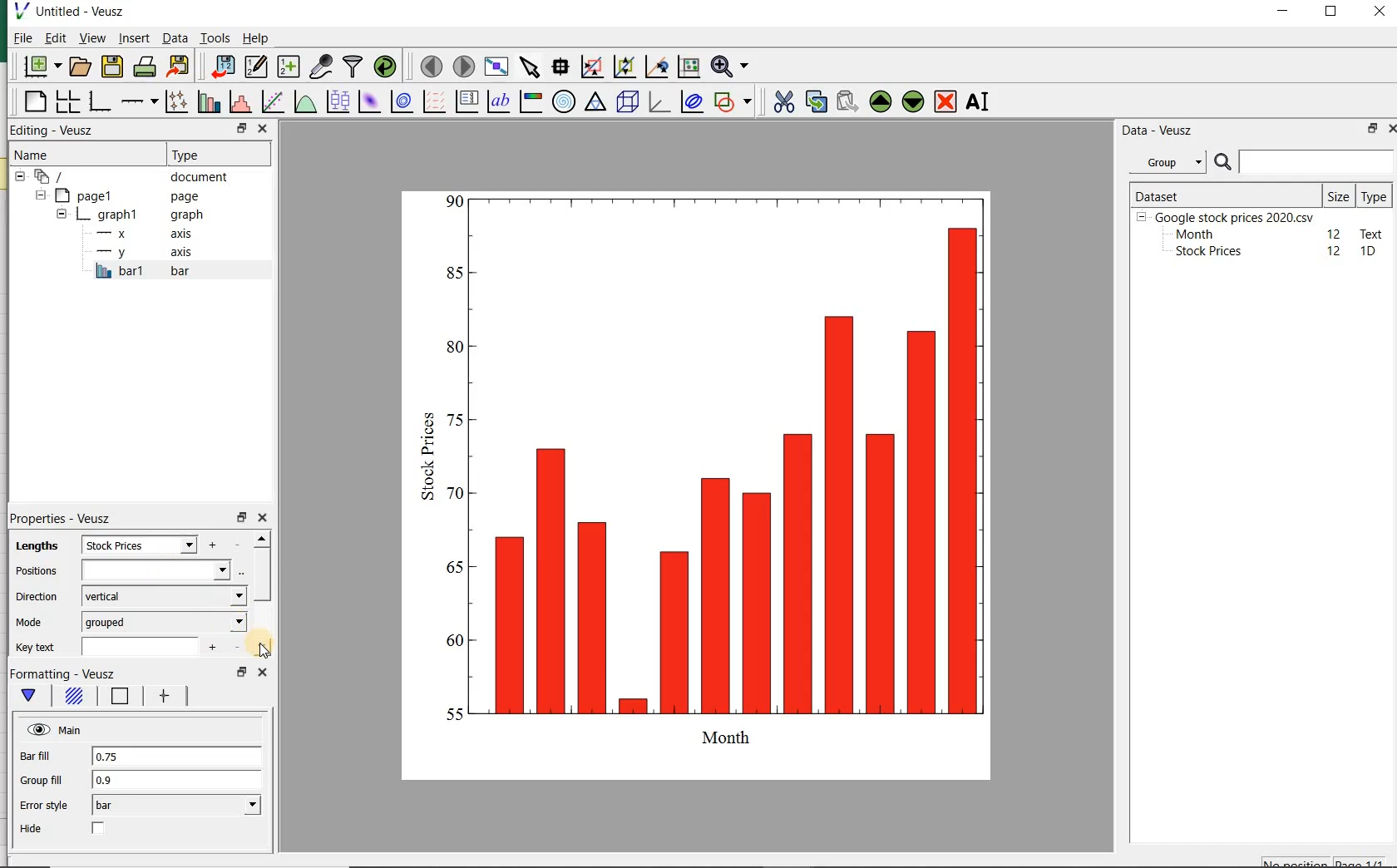  What do you see at coordinates (42, 67) in the screenshot?
I see `new document` at bounding box center [42, 67].